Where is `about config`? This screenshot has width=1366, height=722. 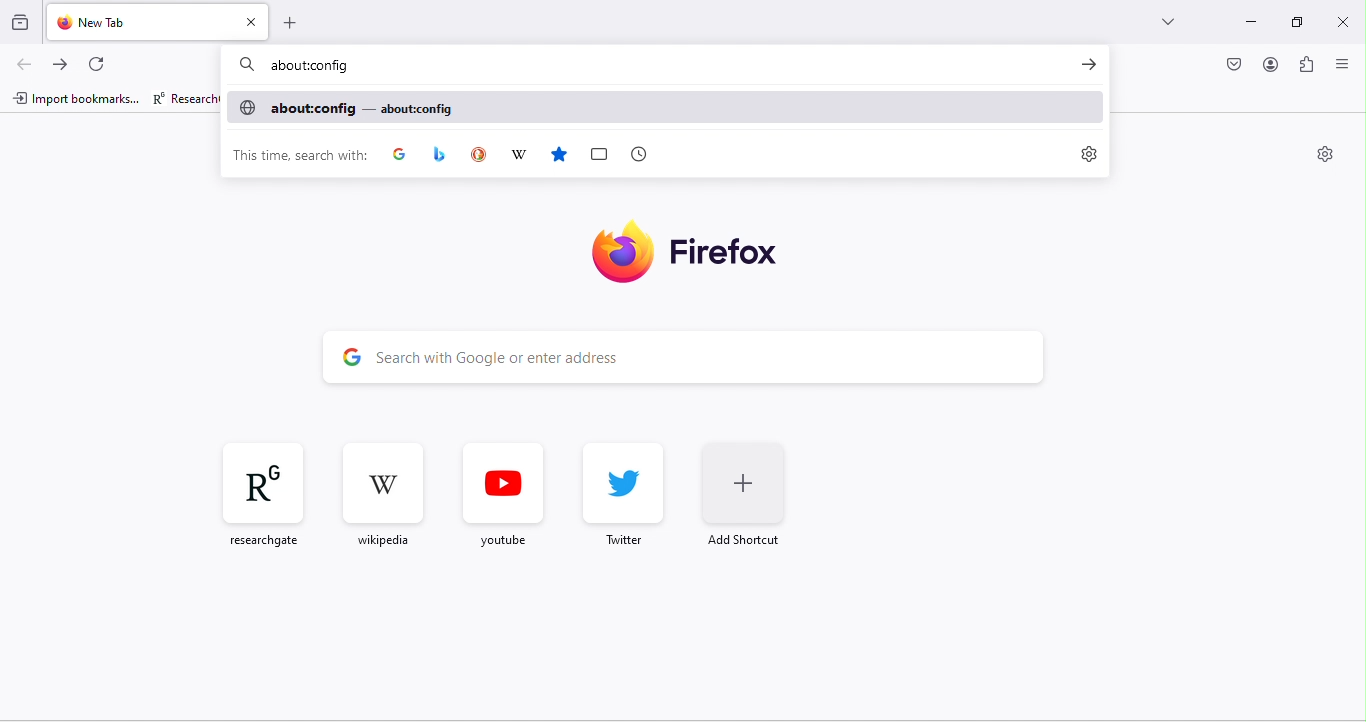 about config is located at coordinates (645, 65).